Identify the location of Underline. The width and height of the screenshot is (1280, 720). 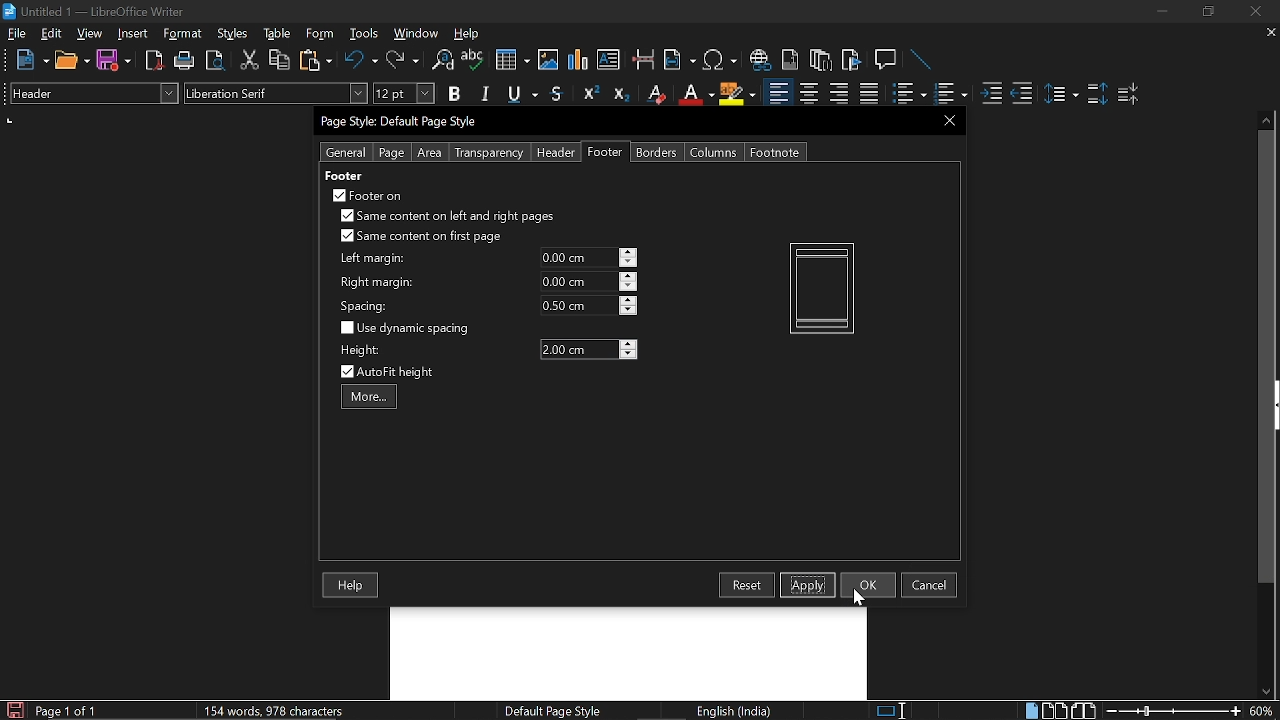
(524, 95).